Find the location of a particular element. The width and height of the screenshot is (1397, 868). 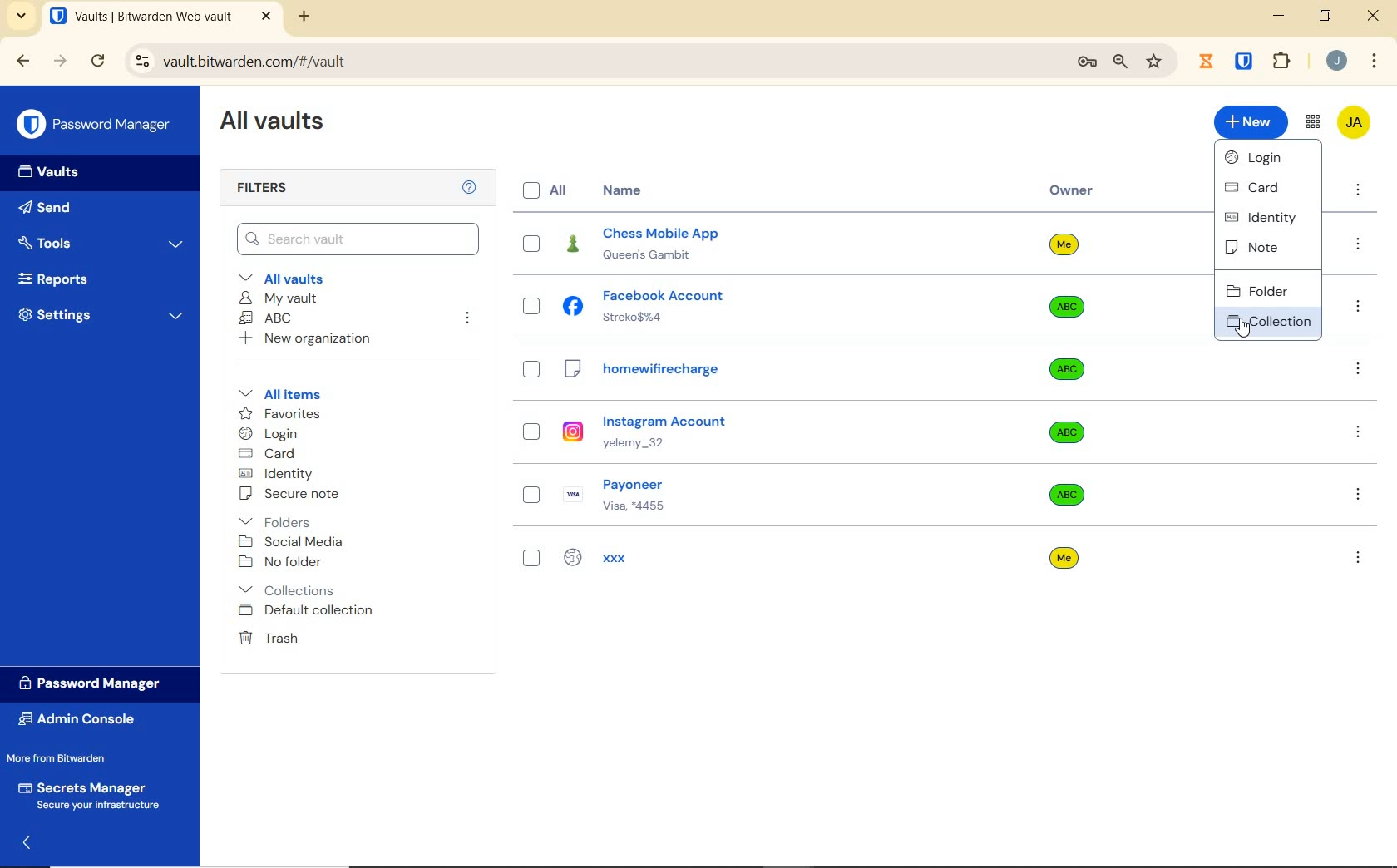

address bar is located at coordinates (590, 62).